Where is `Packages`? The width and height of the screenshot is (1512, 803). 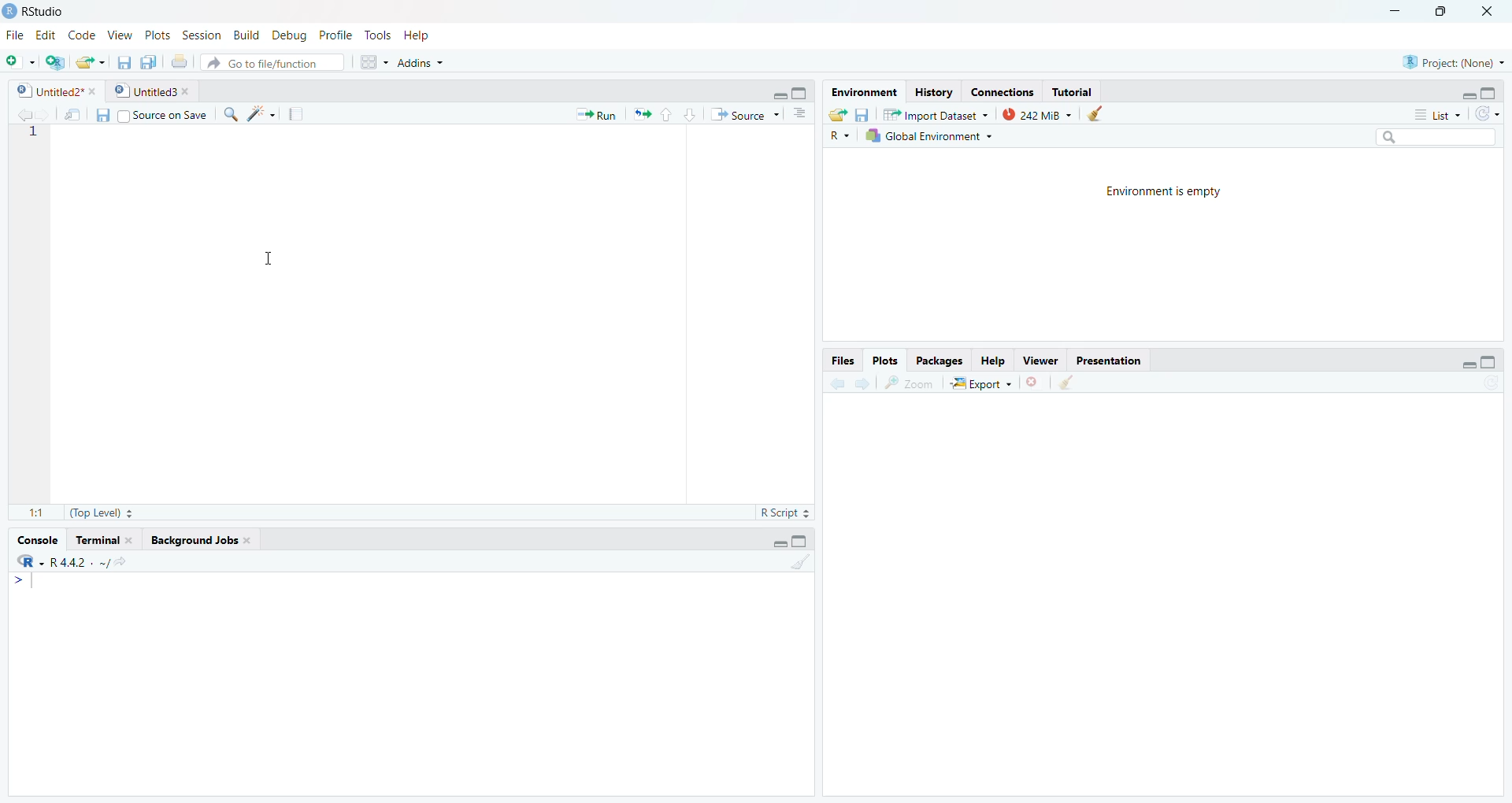
Packages is located at coordinates (938, 361).